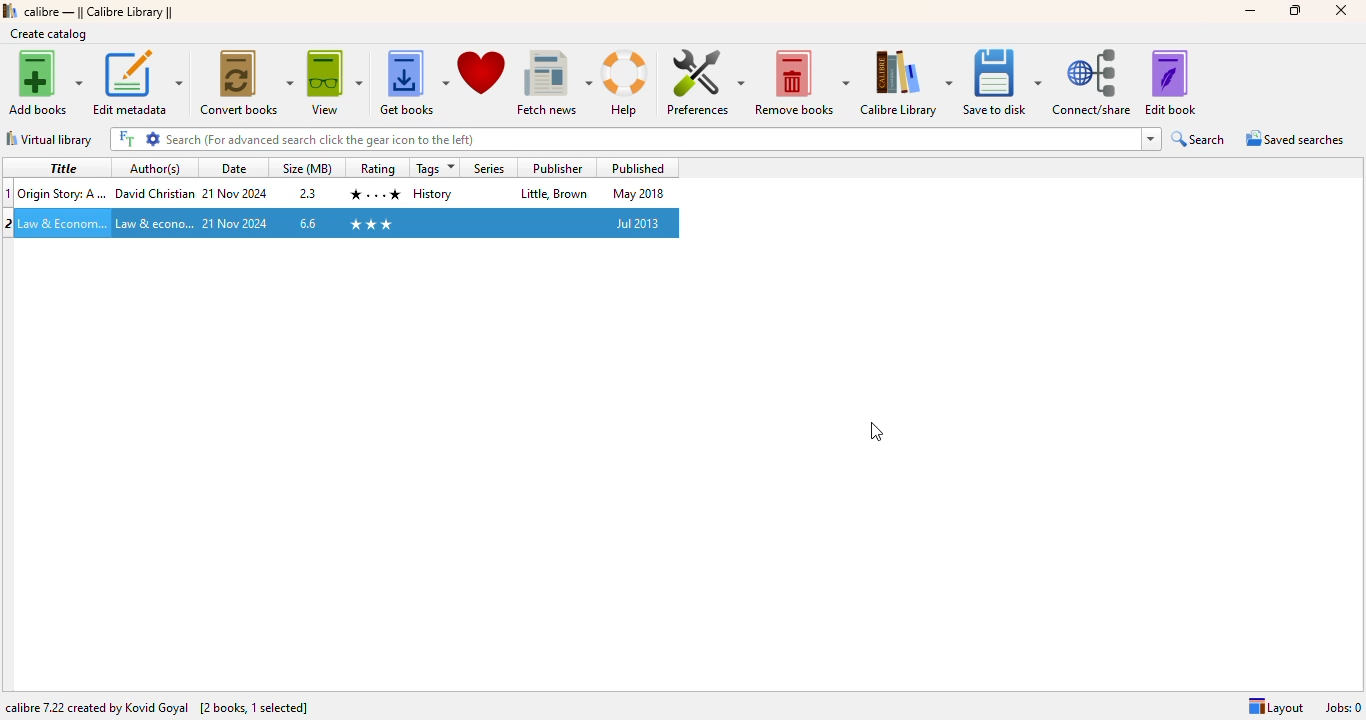 The image size is (1366, 720). Describe the element at coordinates (9, 223) in the screenshot. I see `2` at that location.